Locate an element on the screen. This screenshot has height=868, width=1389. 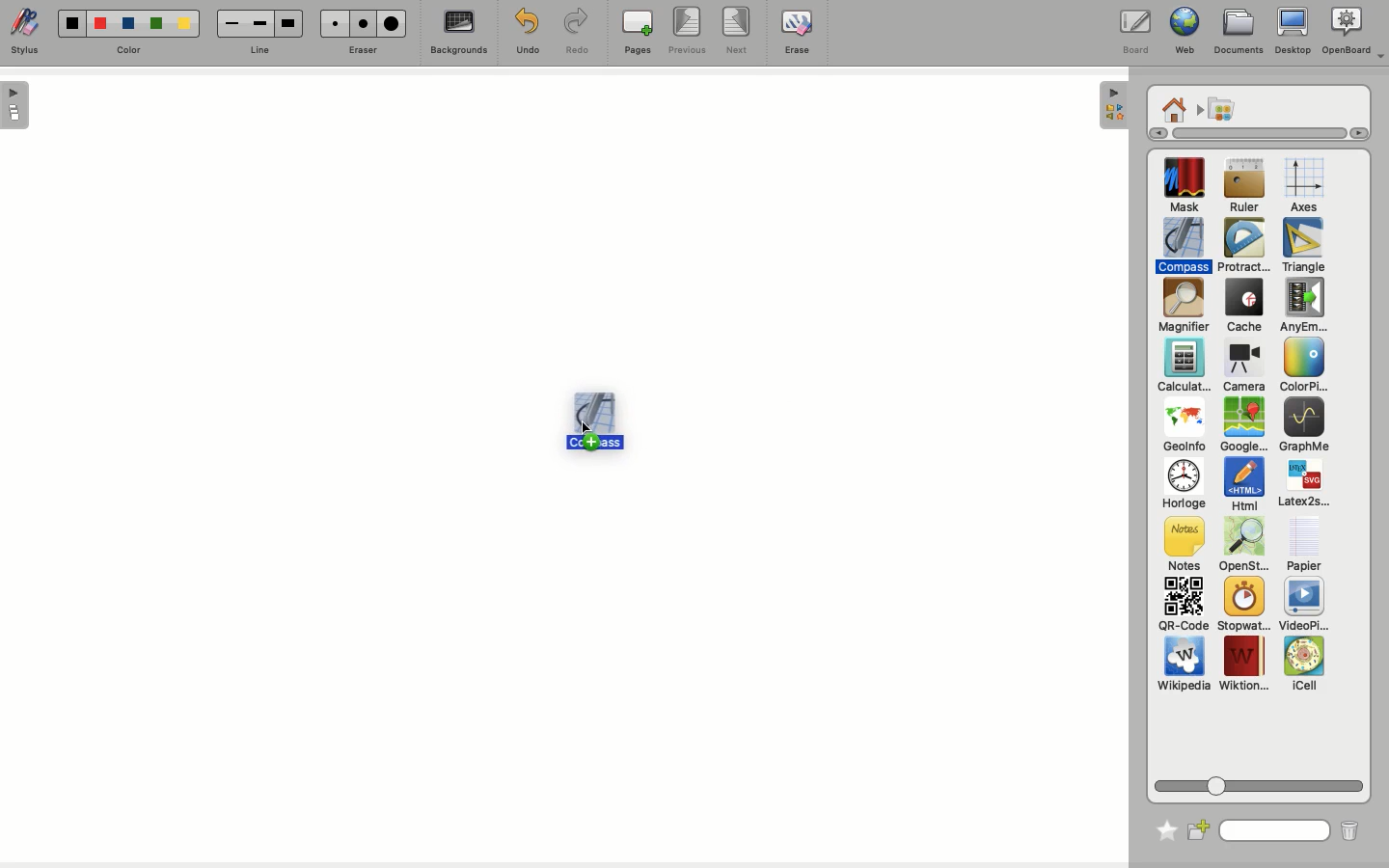
Compass is located at coordinates (596, 420).